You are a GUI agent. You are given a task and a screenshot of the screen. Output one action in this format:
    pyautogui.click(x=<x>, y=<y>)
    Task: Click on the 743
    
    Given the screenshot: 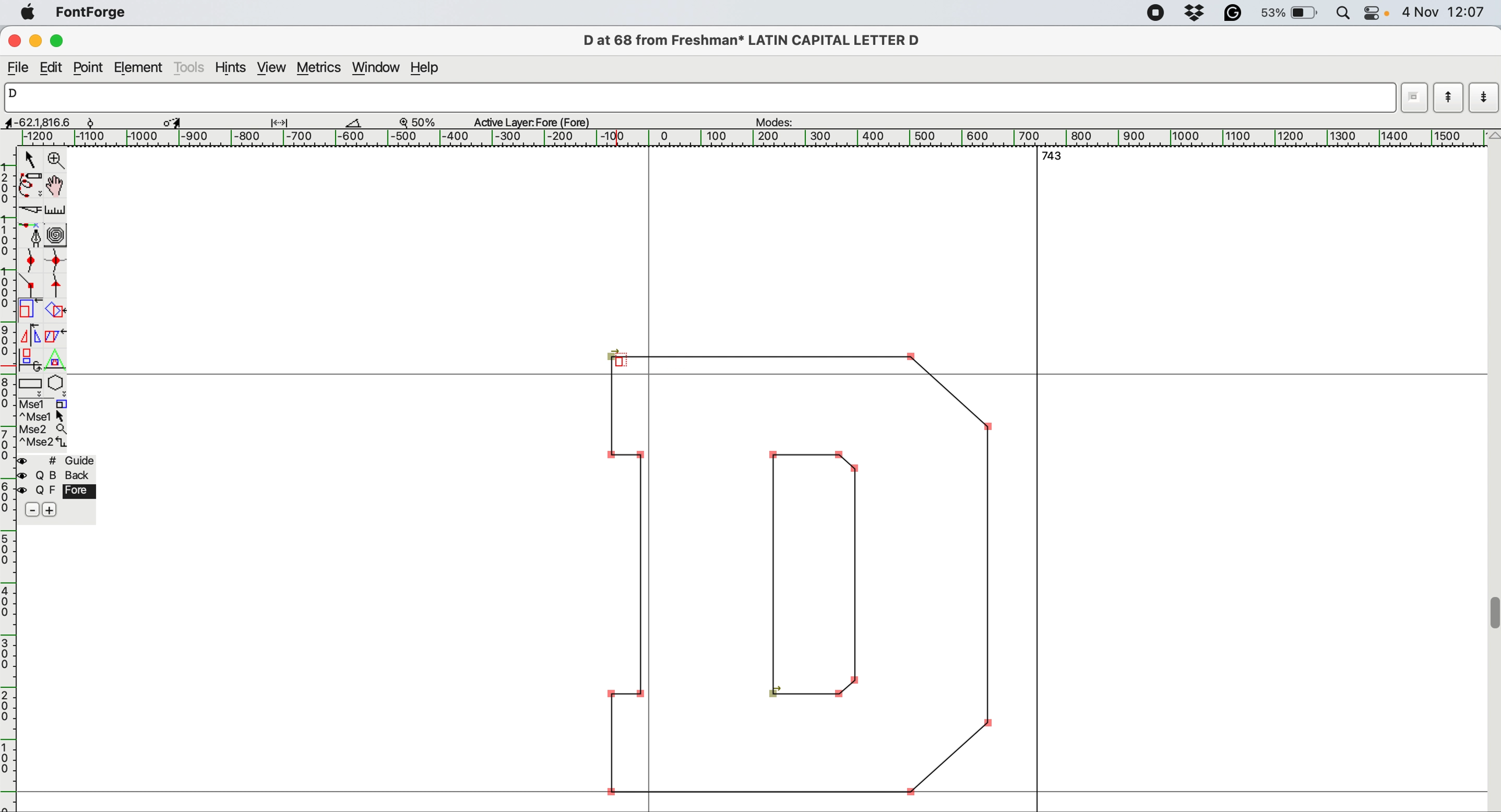 What is the action you would take?
    pyautogui.click(x=1055, y=157)
    